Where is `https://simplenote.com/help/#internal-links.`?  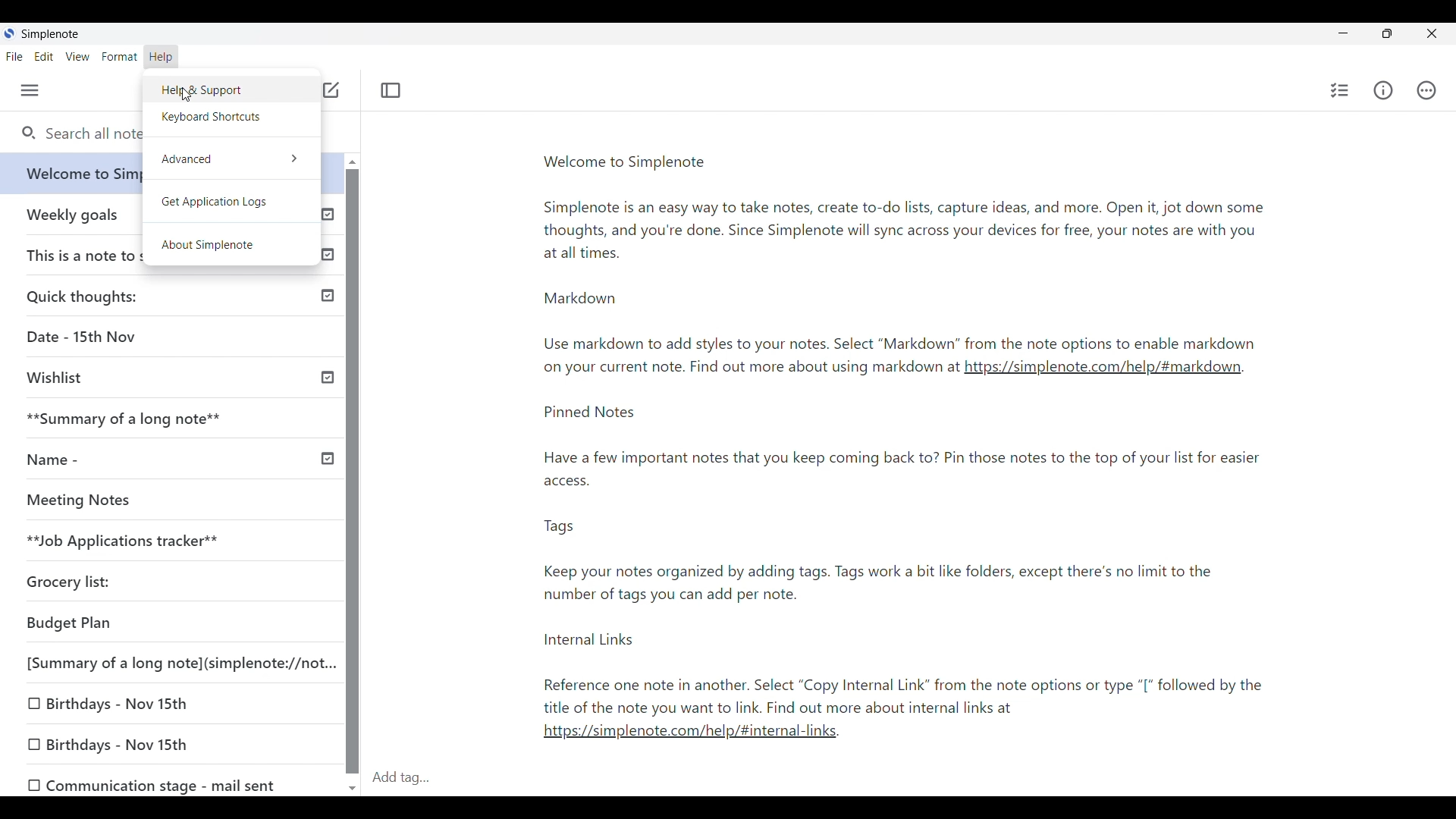
https://simplenote.com/help/#internal-links. is located at coordinates (693, 733).